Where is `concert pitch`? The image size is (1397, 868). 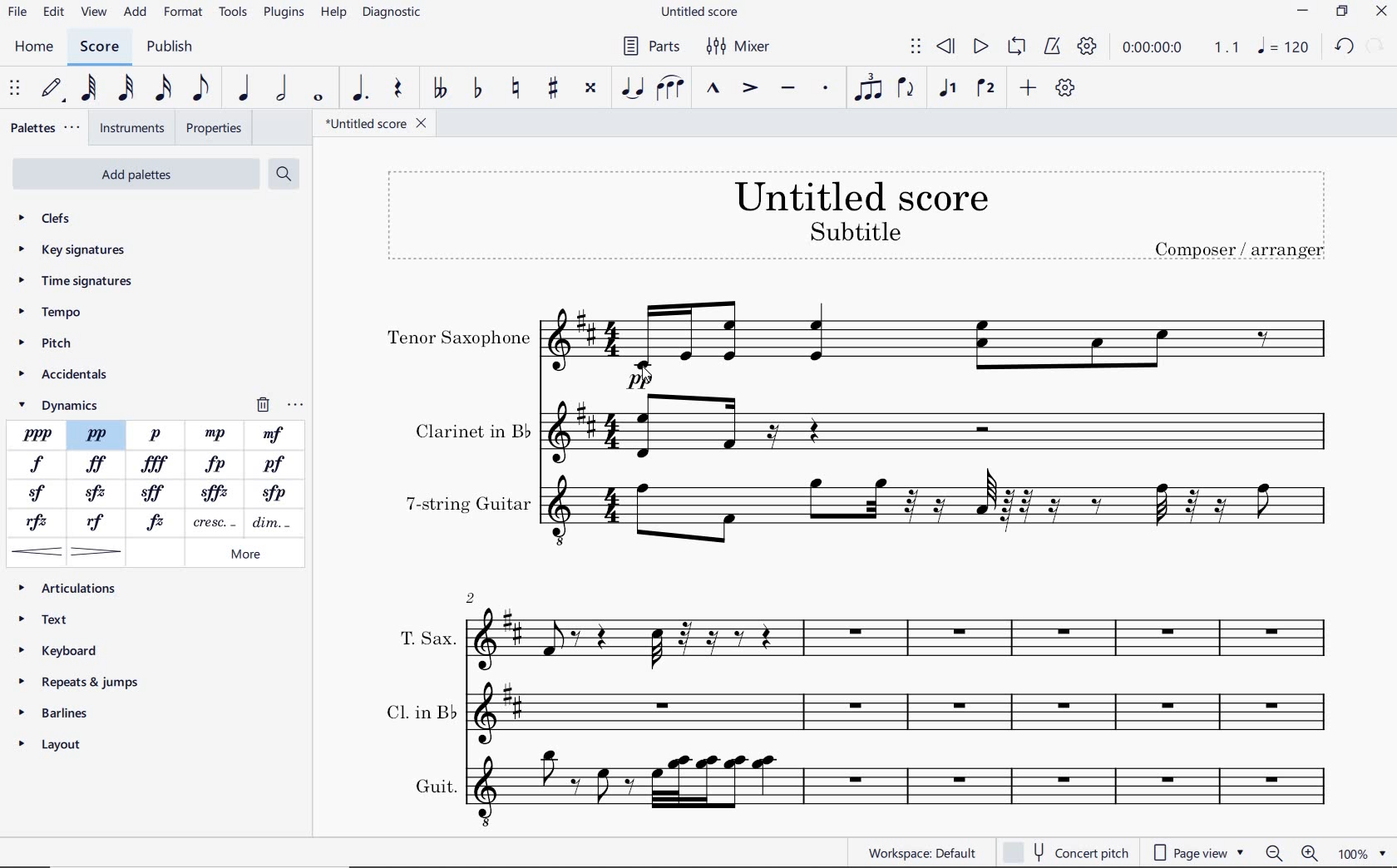
concert pitch is located at coordinates (1065, 850).